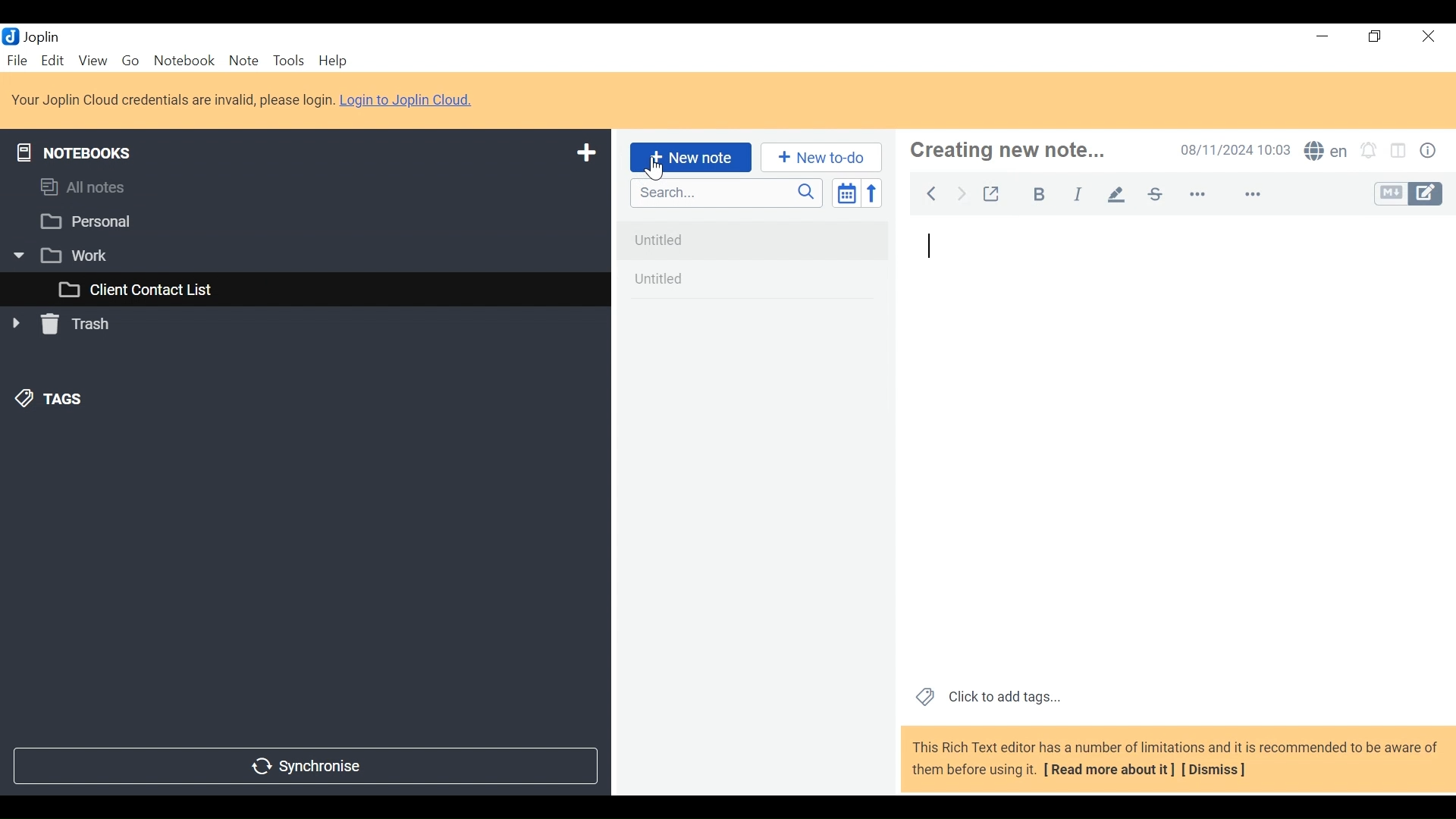 The height and width of the screenshot is (819, 1456). What do you see at coordinates (304, 290) in the screenshot?
I see `Client Contact List` at bounding box center [304, 290].